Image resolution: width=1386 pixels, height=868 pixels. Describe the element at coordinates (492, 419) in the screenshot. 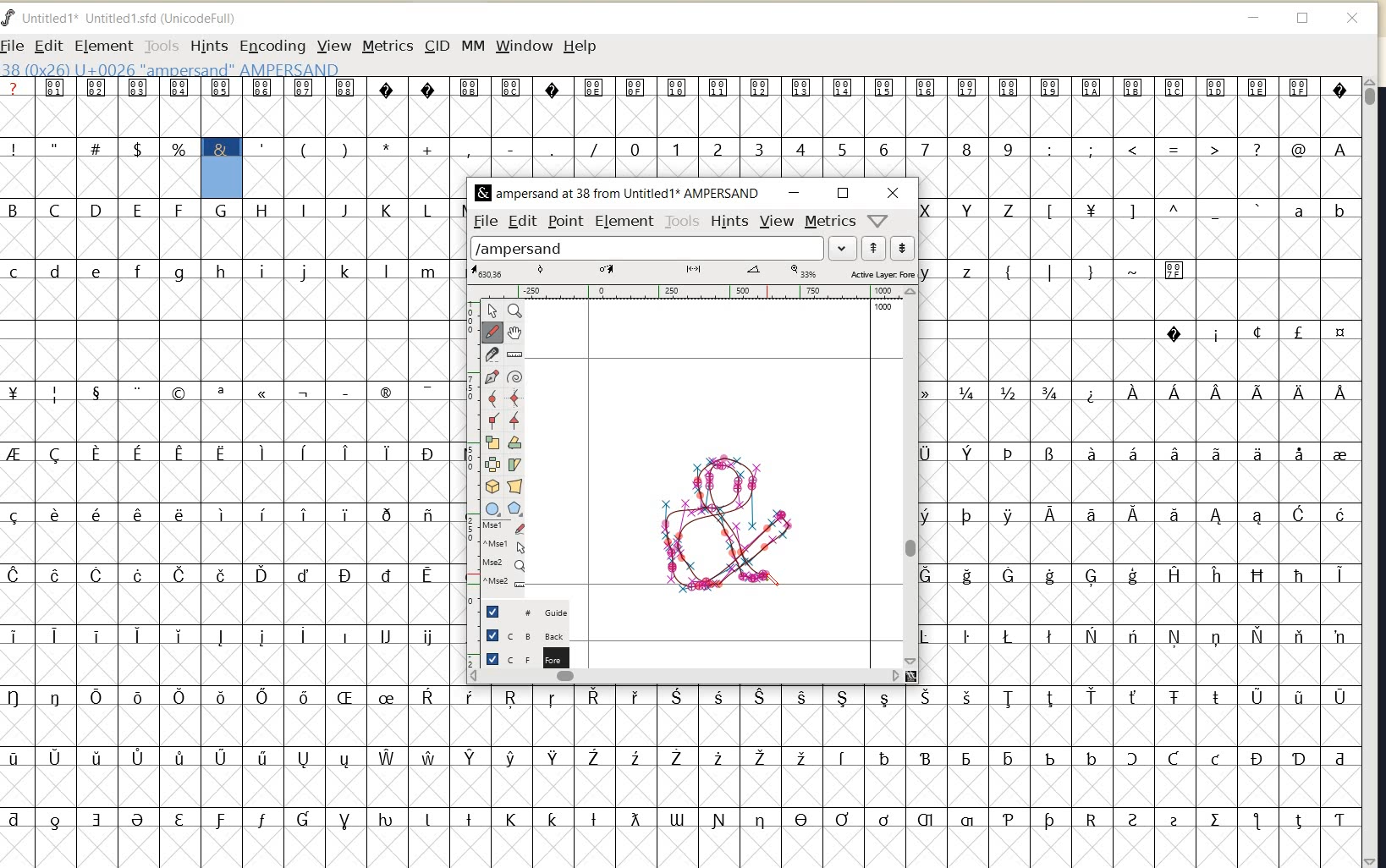

I see `add a corner point` at that location.